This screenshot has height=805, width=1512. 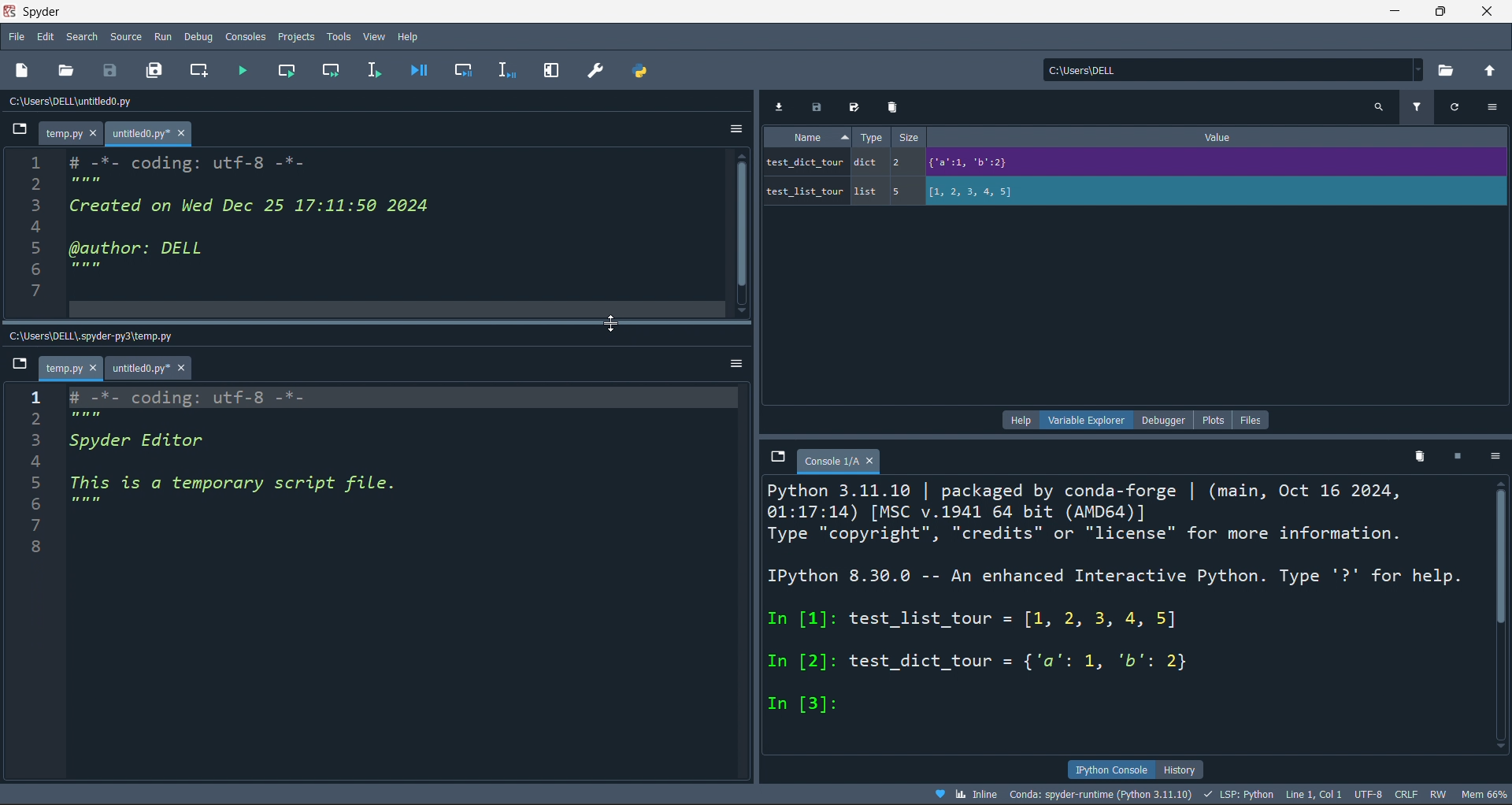 I want to click on history, so click(x=1199, y=768).